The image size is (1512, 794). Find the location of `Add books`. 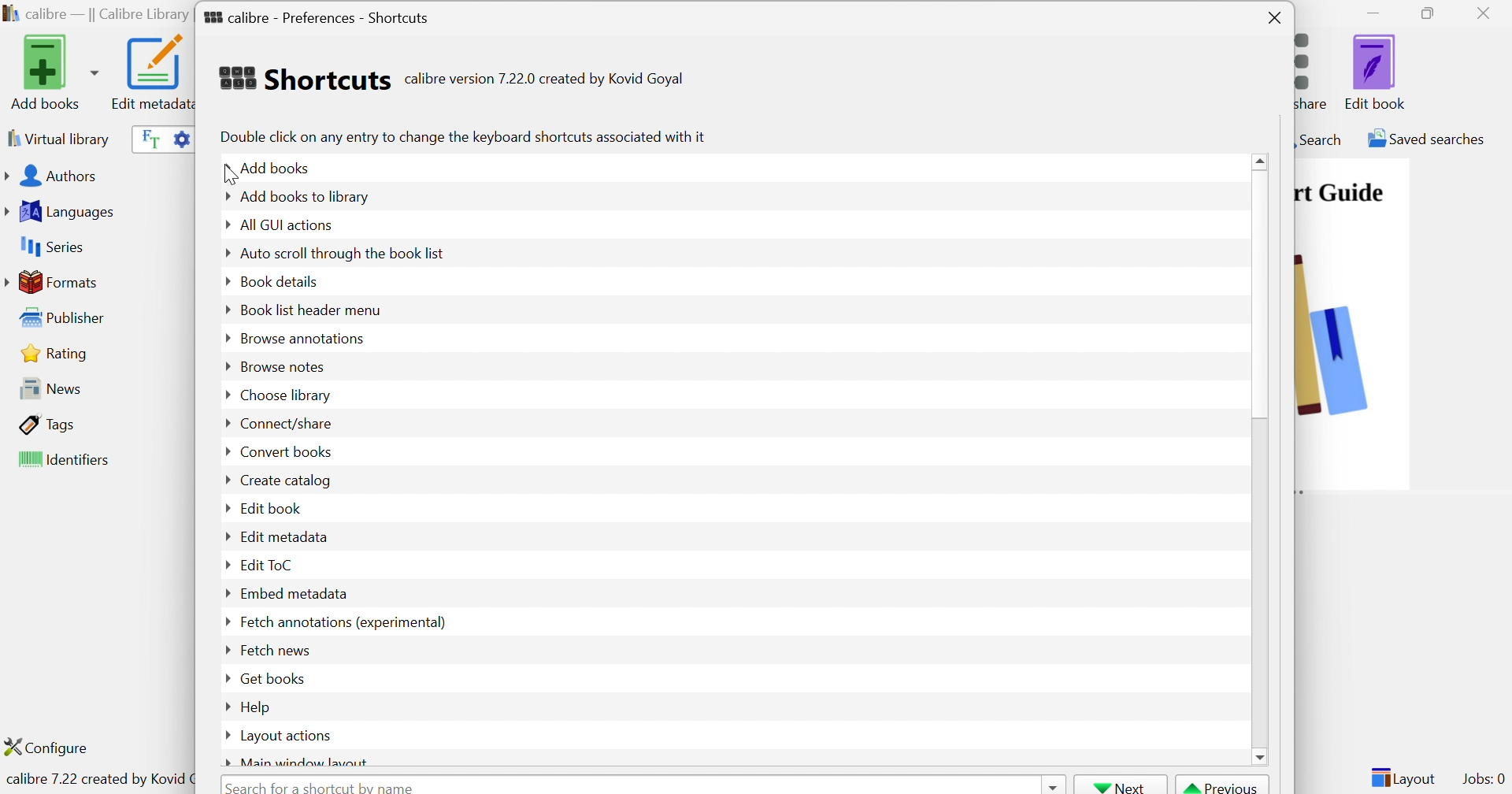

Add books is located at coordinates (52, 72).